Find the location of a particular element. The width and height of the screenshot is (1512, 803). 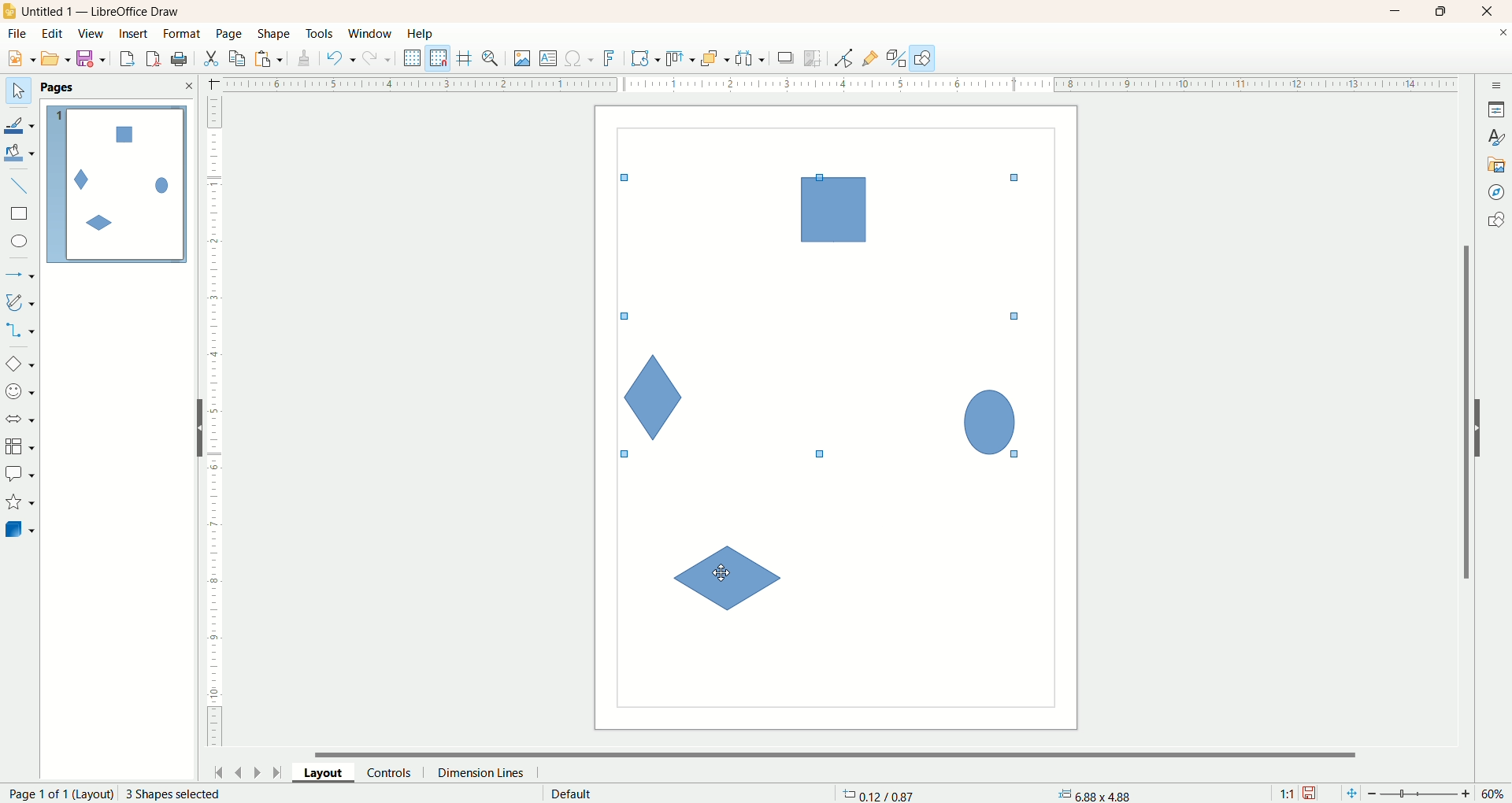

page1 is located at coordinates (117, 184).